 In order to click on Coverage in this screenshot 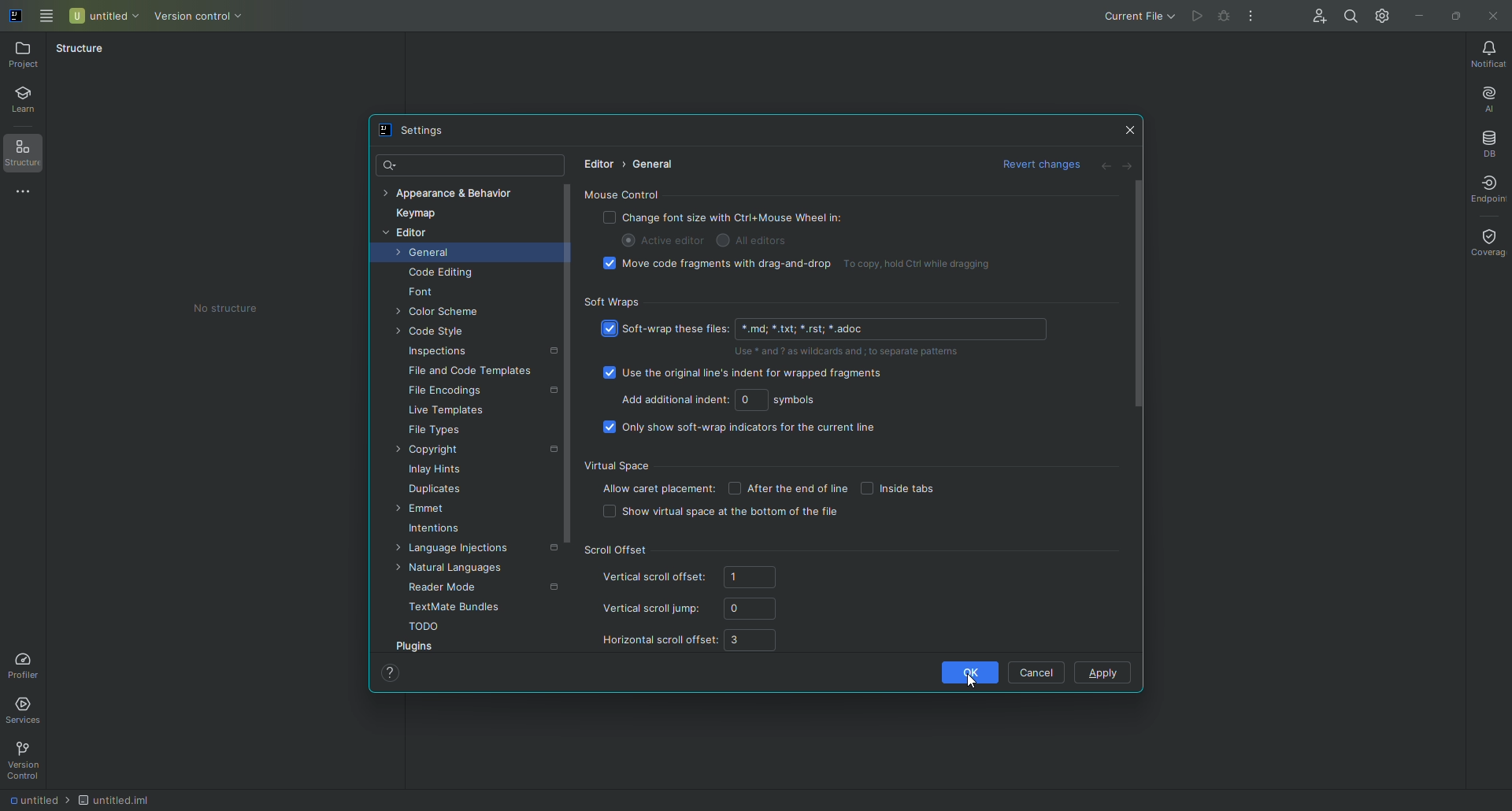, I will do `click(1488, 242)`.